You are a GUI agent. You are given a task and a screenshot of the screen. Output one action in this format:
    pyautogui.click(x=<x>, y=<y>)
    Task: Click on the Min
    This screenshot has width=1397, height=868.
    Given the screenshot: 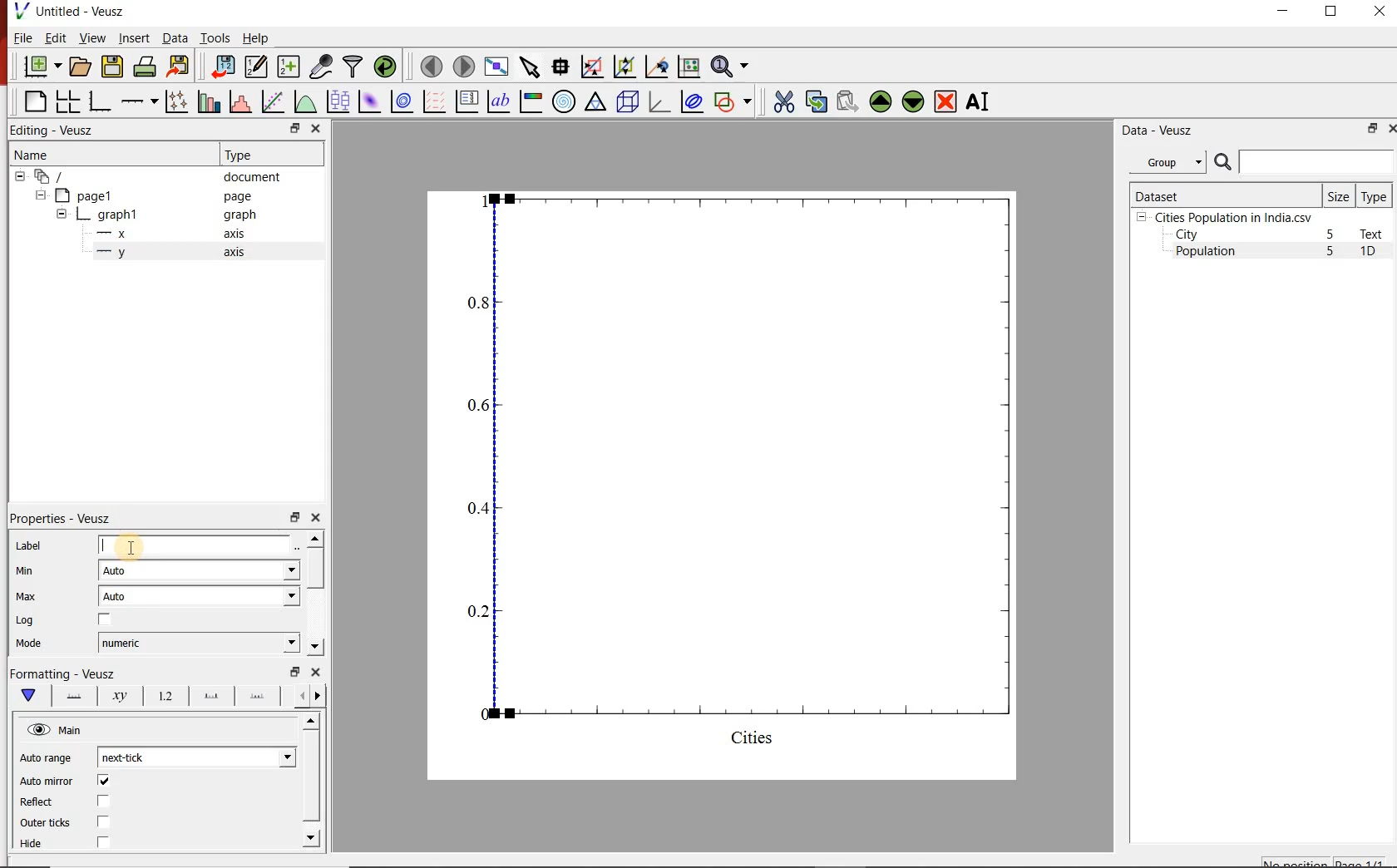 What is the action you would take?
    pyautogui.click(x=25, y=571)
    